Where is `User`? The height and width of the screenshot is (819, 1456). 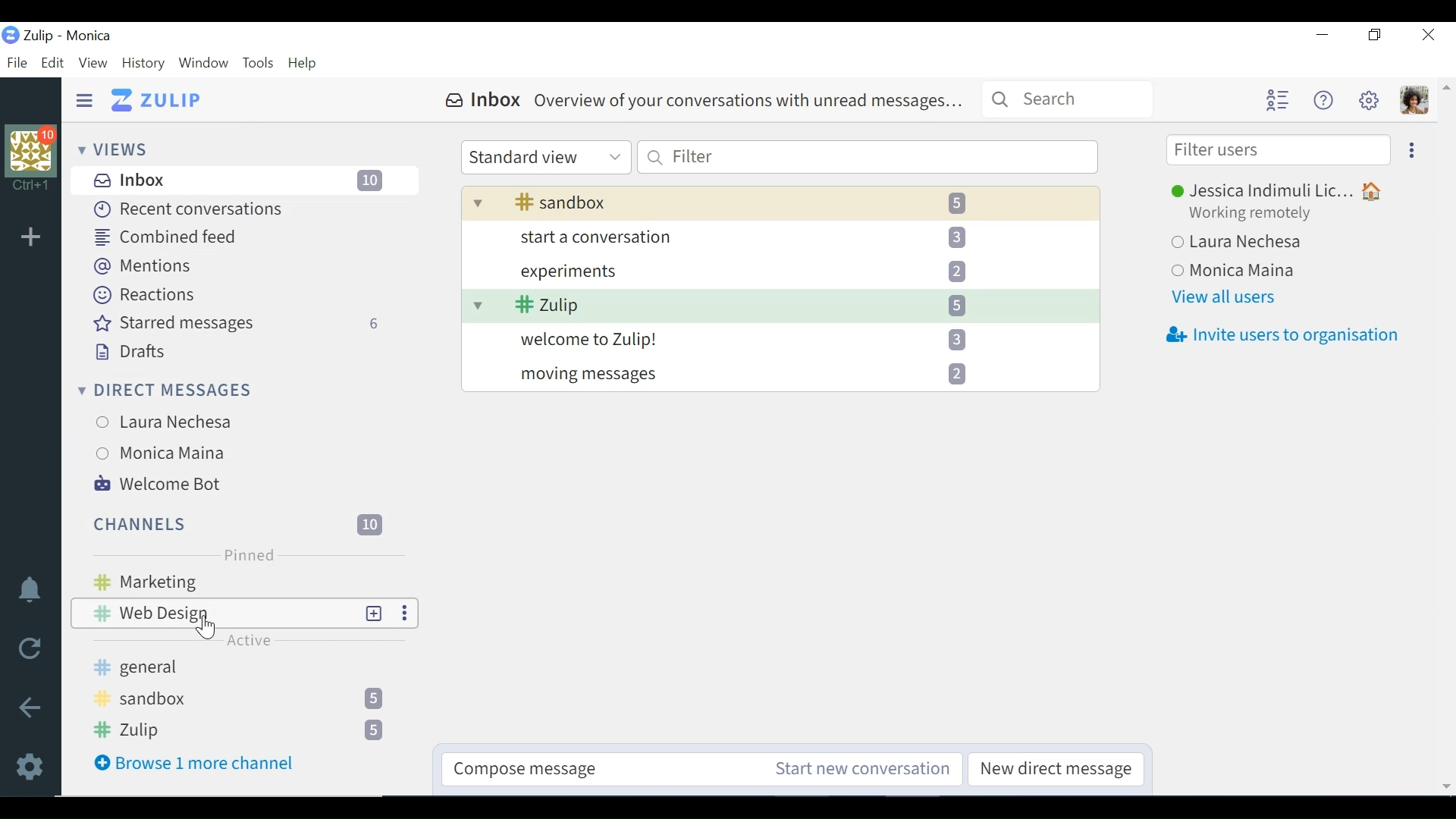
User is located at coordinates (172, 454).